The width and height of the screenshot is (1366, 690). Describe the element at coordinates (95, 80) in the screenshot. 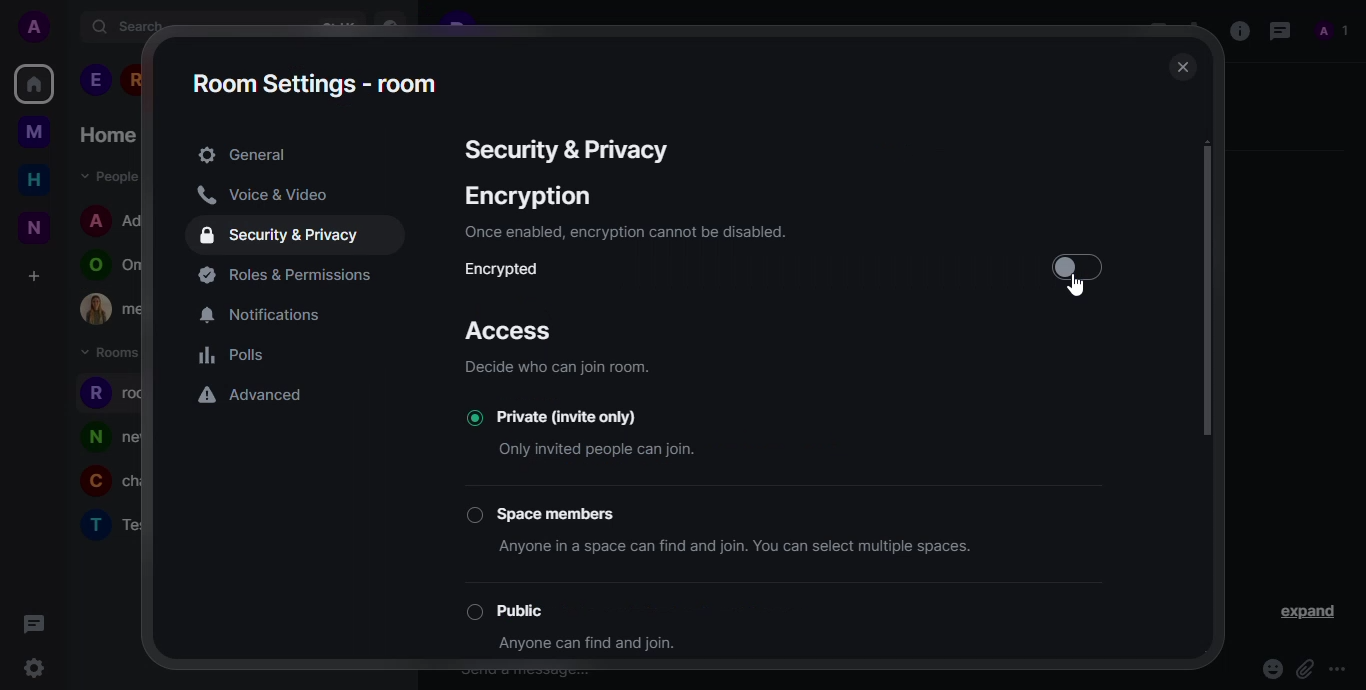

I see `people 1` at that location.